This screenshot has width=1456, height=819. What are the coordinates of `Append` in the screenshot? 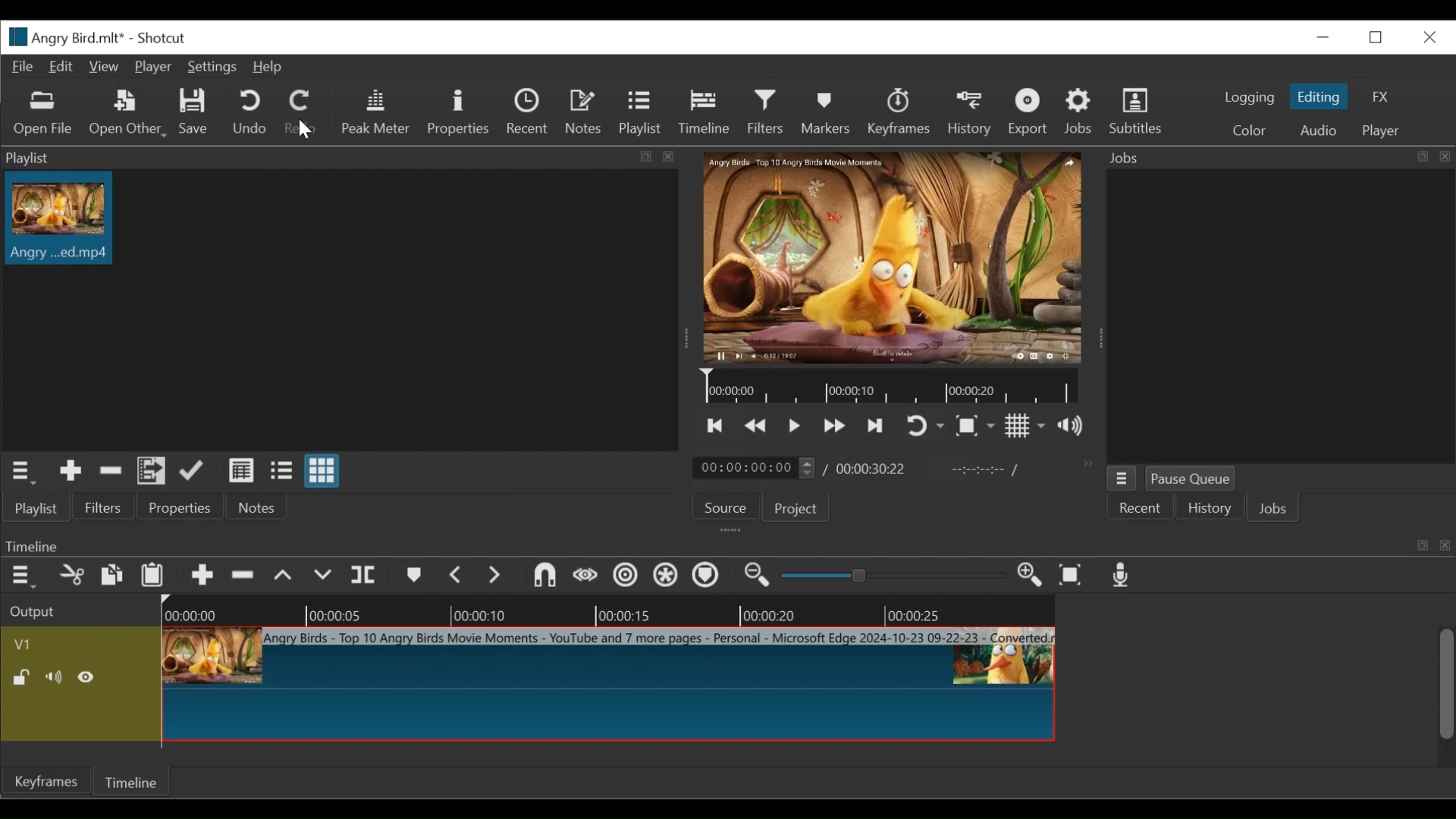 It's located at (201, 577).